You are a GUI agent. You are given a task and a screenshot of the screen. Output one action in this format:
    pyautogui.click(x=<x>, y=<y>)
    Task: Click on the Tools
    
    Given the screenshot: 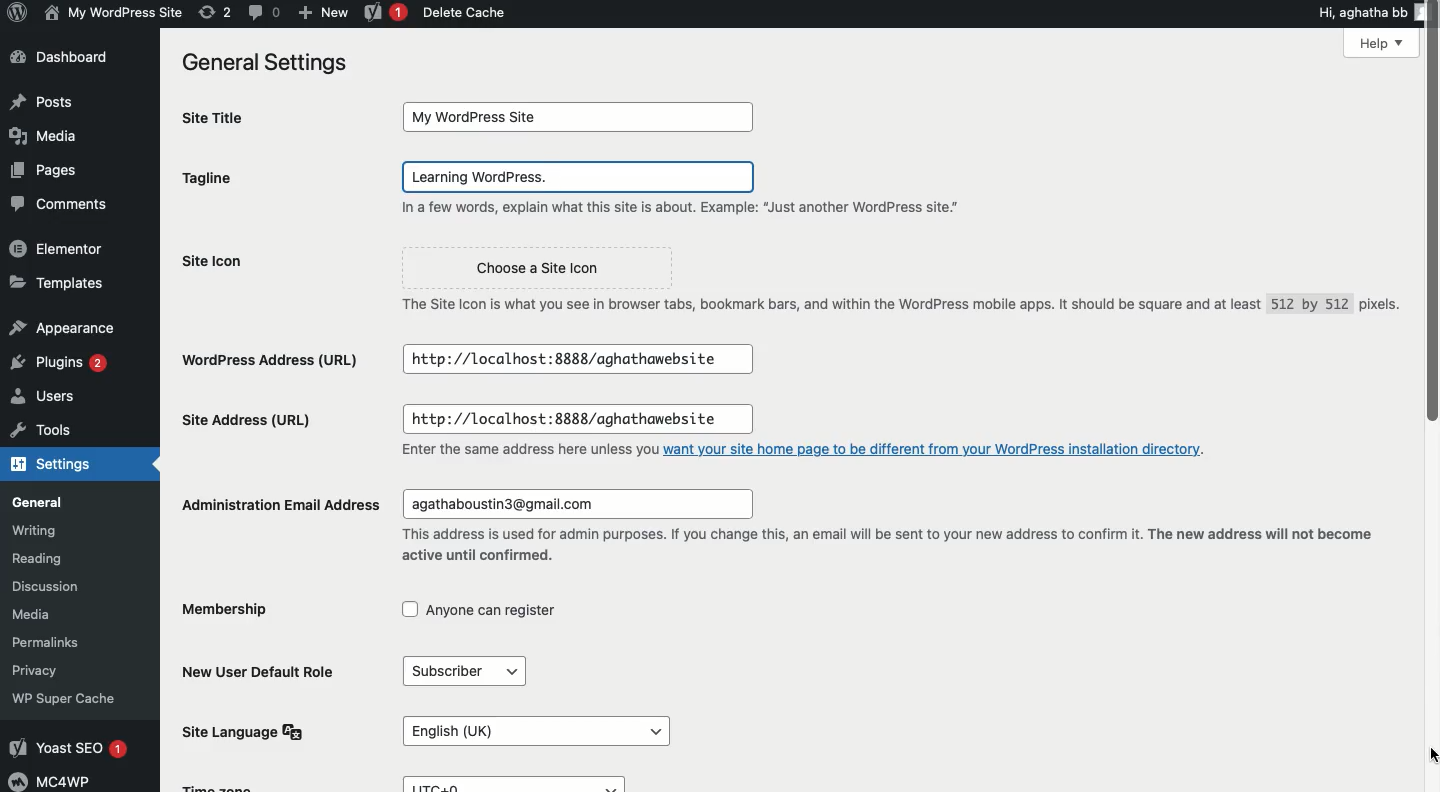 What is the action you would take?
    pyautogui.click(x=61, y=434)
    